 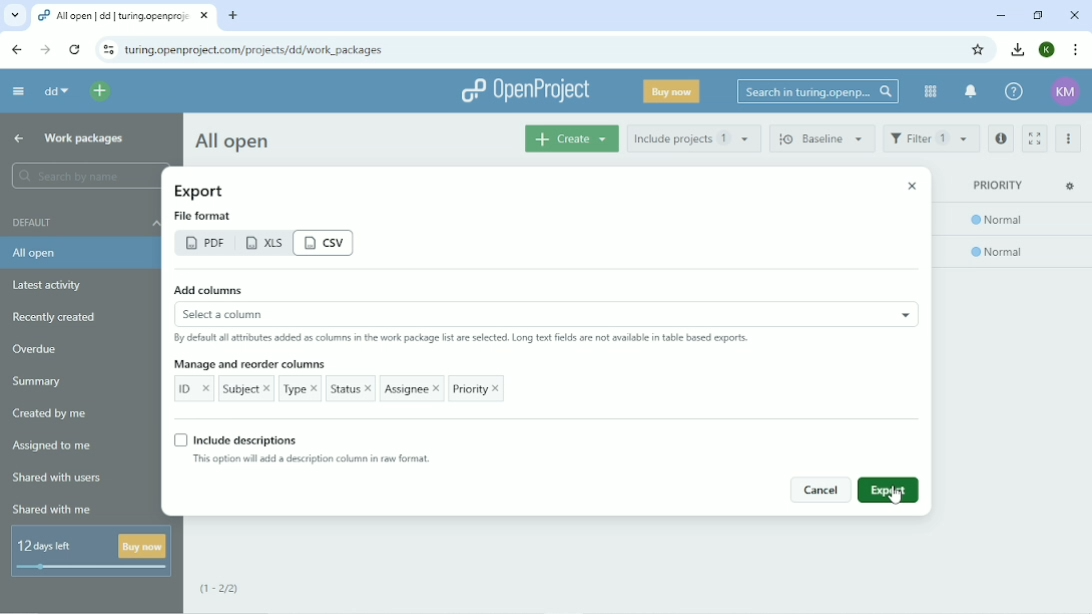 What do you see at coordinates (250, 364) in the screenshot?
I see `Manage and reorder columns` at bounding box center [250, 364].